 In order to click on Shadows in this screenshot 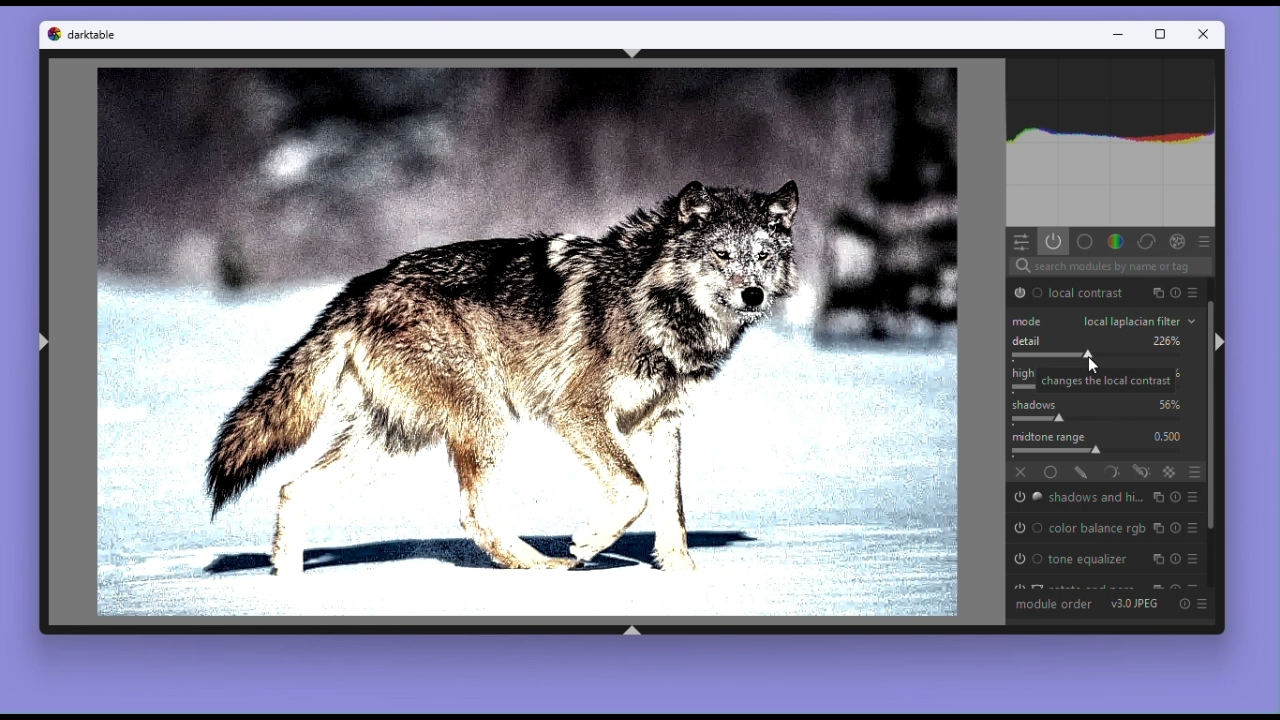, I will do `click(1106, 411)`.